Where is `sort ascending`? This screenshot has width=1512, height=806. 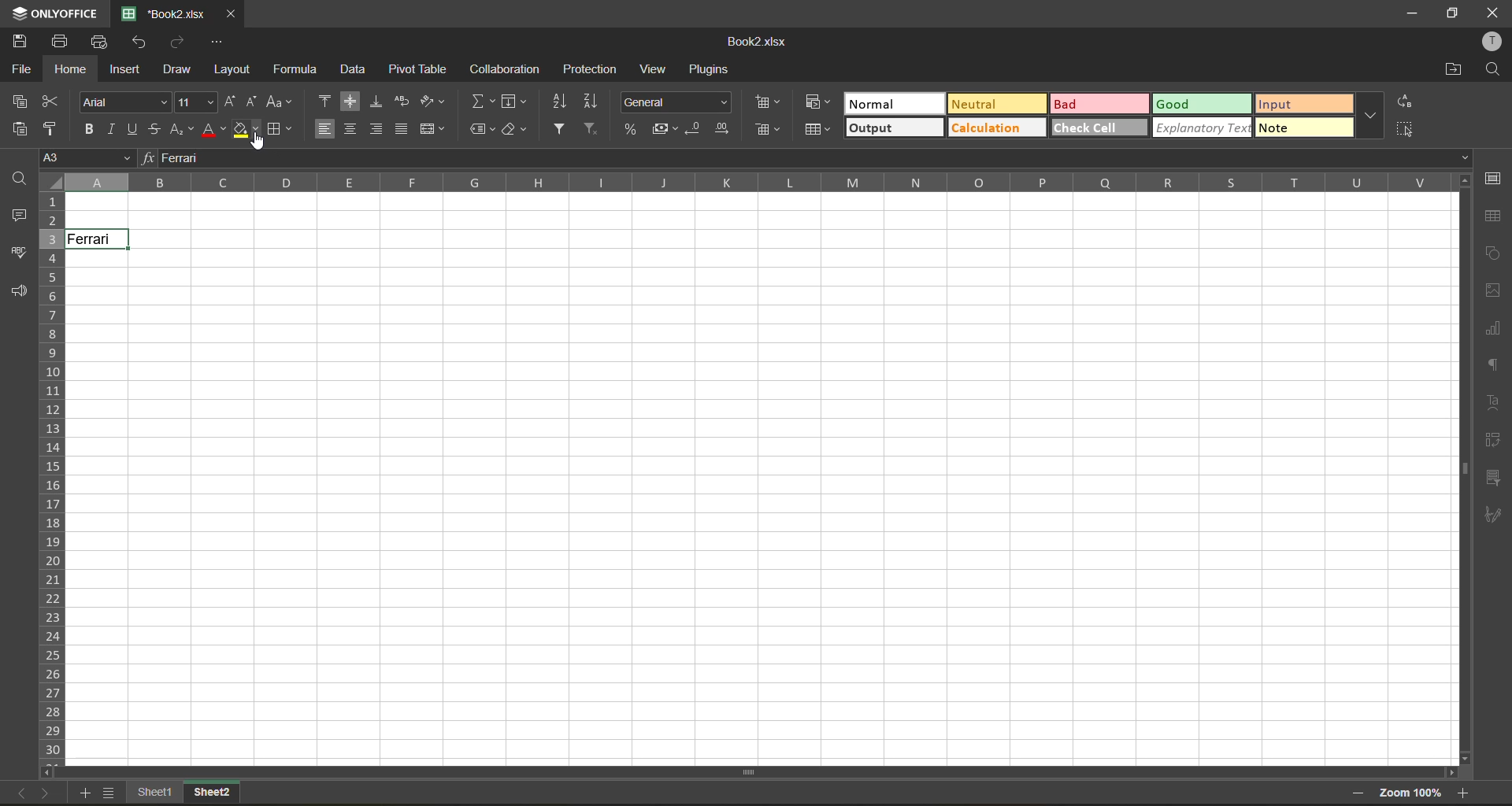
sort ascending is located at coordinates (562, 102).